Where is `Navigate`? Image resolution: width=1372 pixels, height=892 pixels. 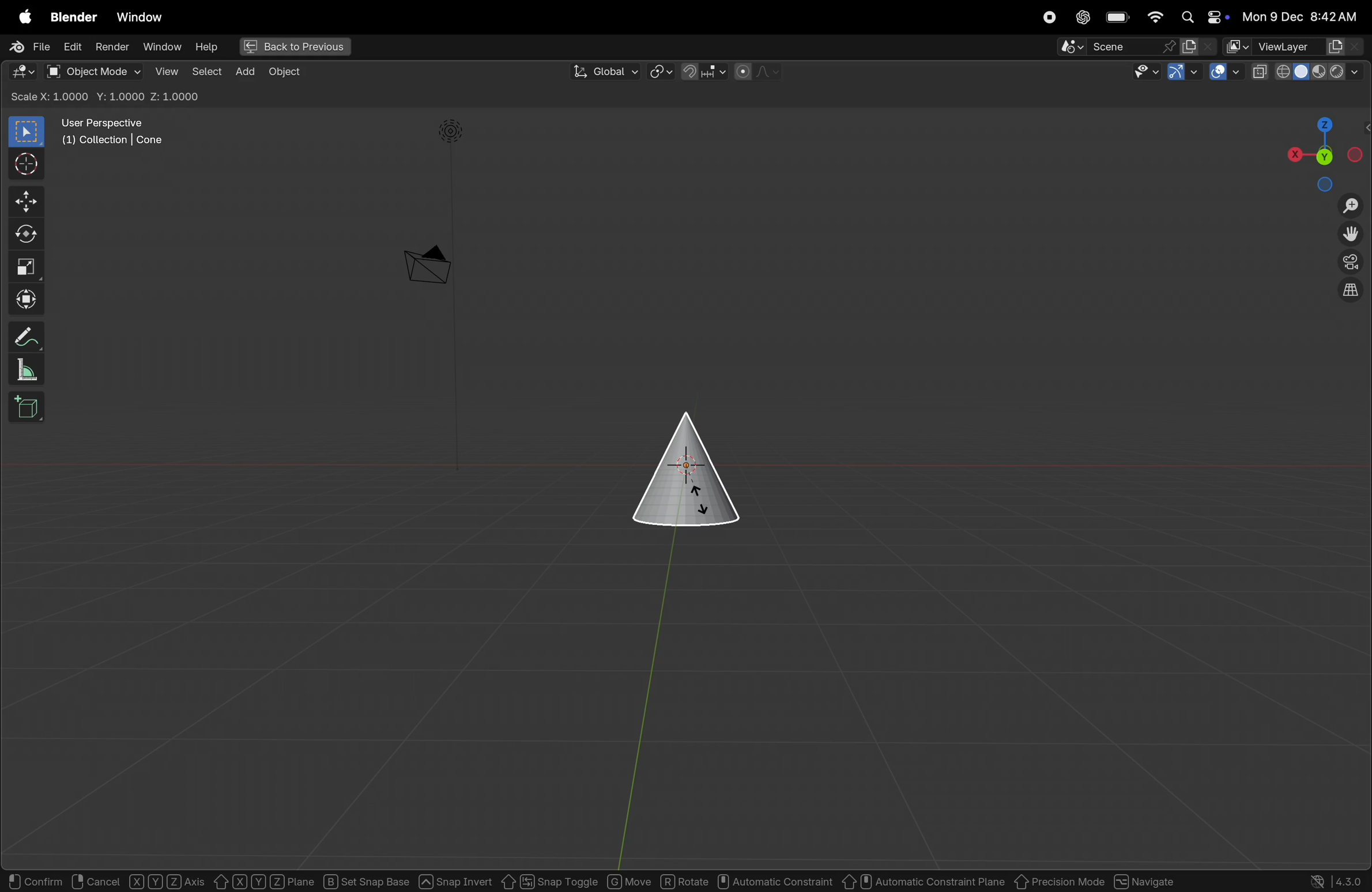 Navigate is located at coordinates (1146, 882).